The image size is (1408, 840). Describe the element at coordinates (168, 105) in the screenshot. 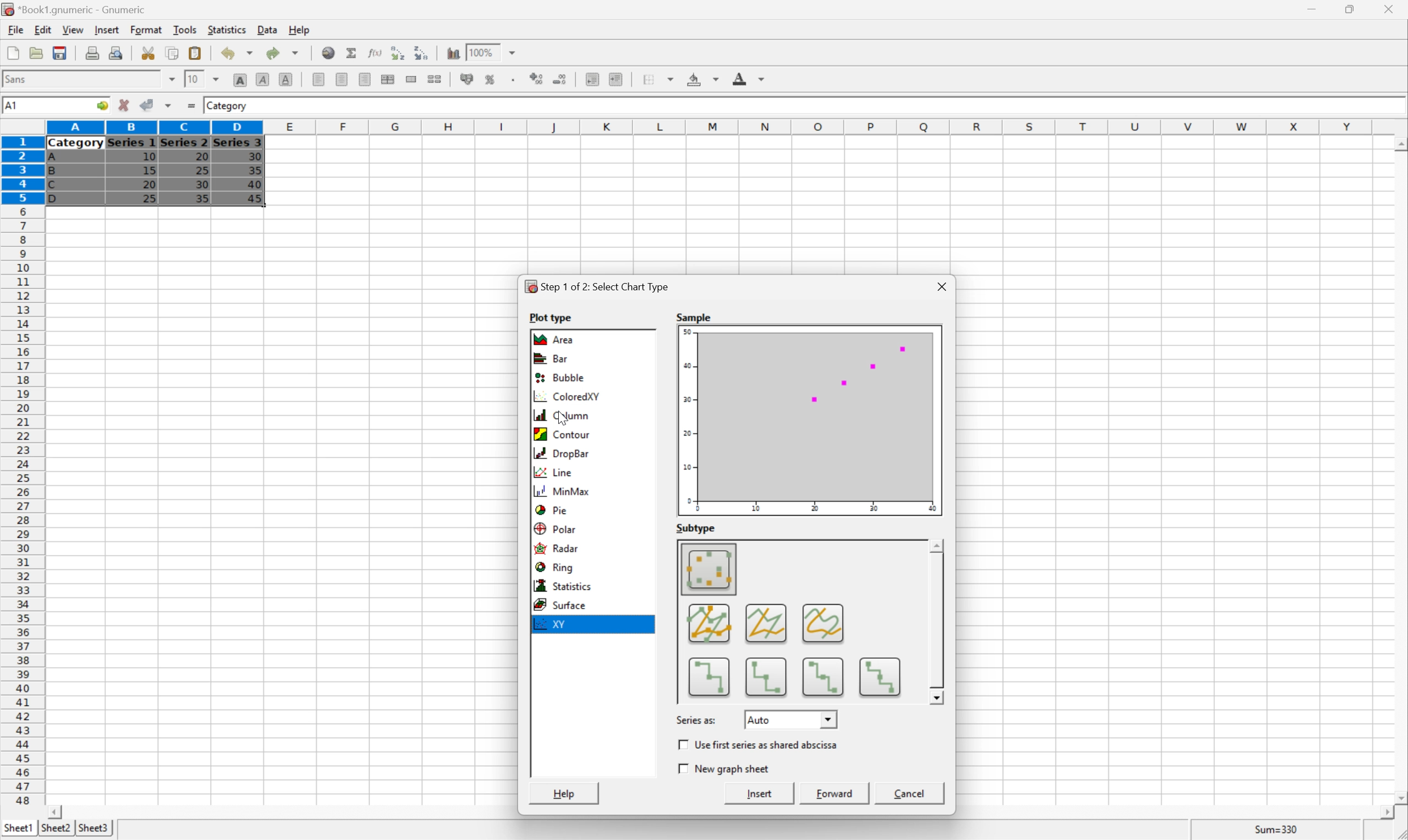

I see `Accept changes in multiple cells` at that location.